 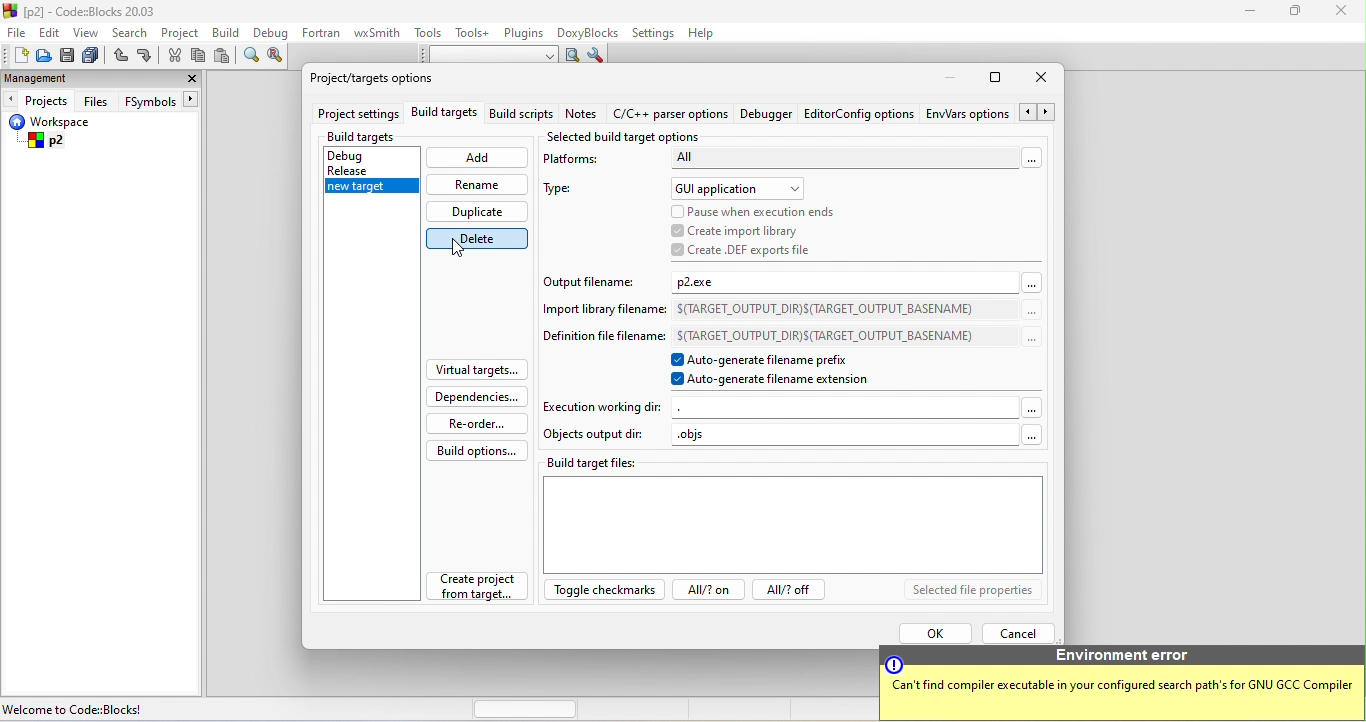 What do you see at coordinates (429, 35) in the screenshot?
I see `tools` at bounding box center [429, 35].